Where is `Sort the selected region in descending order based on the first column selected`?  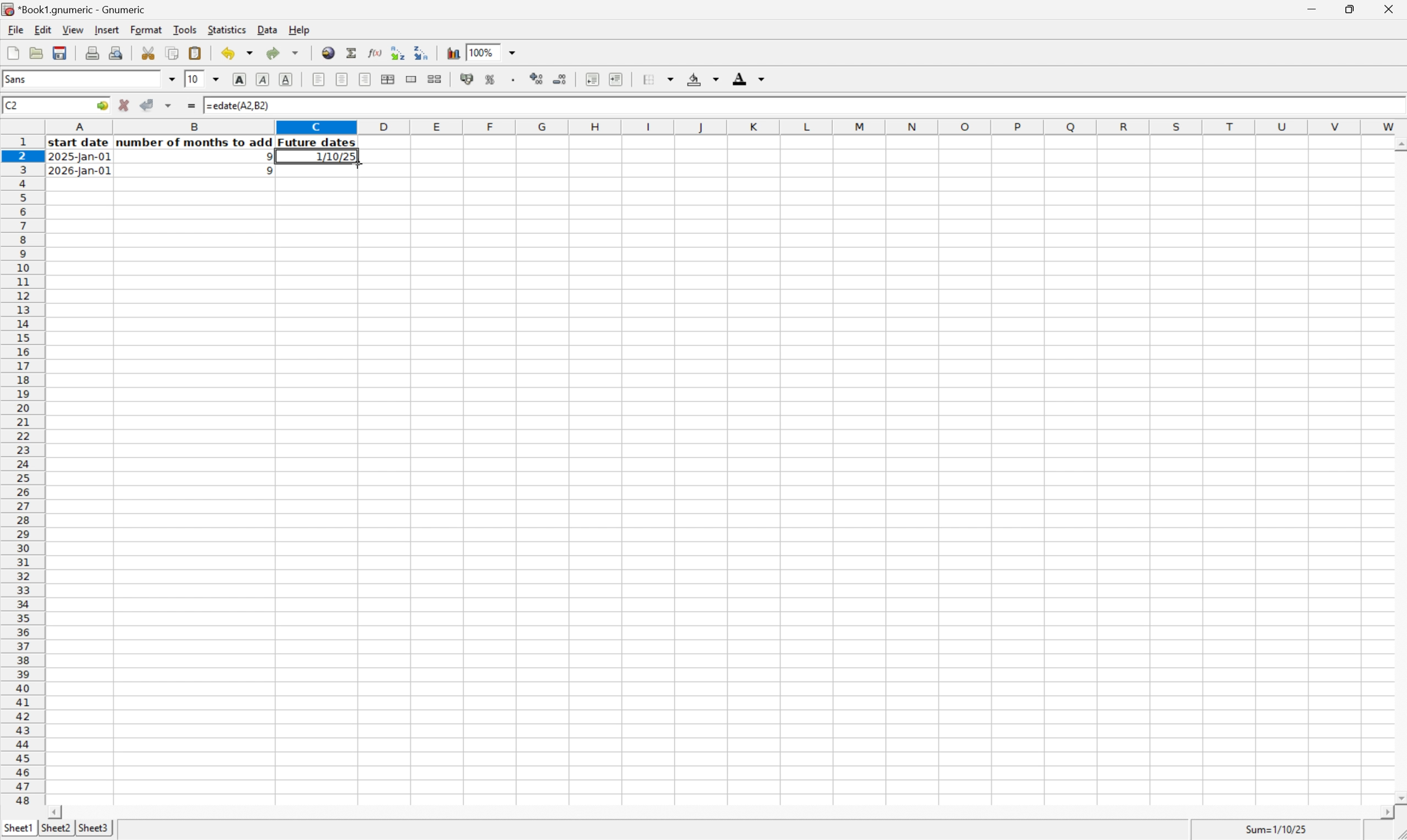 Sort the selected region in descending order based on the first column selected is located at coordinates (423, 52).